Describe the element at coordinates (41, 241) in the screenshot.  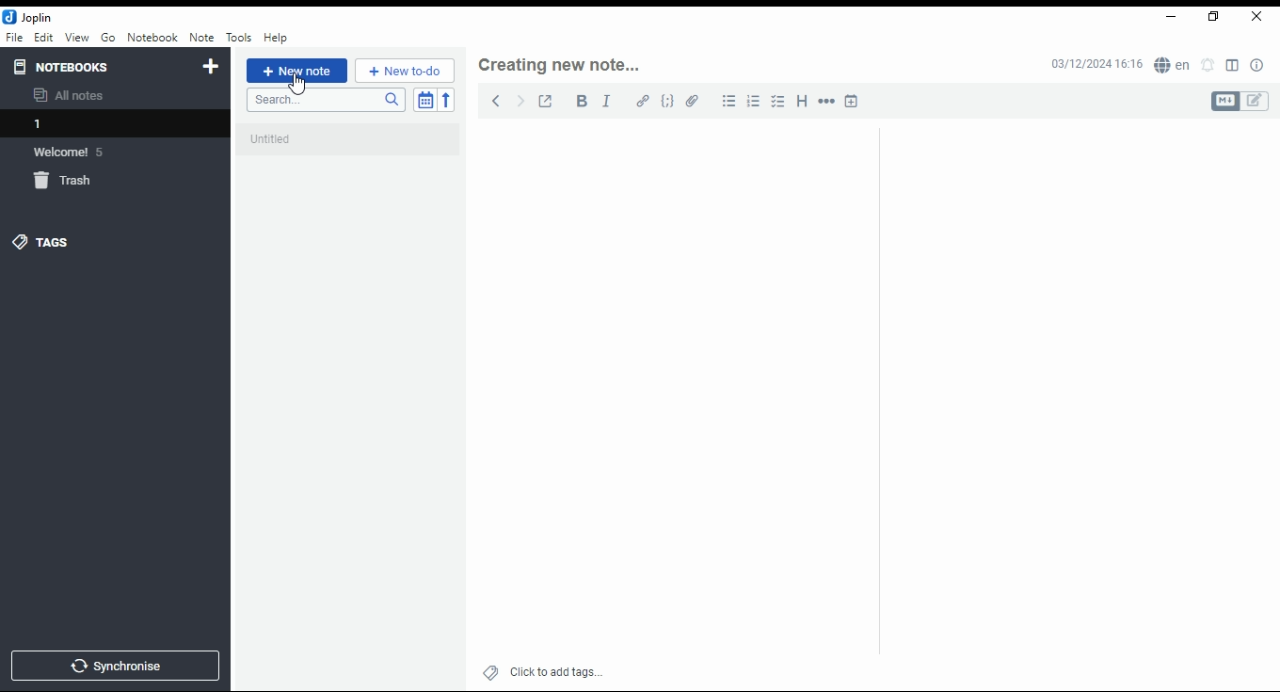
I see `tags` at that location.